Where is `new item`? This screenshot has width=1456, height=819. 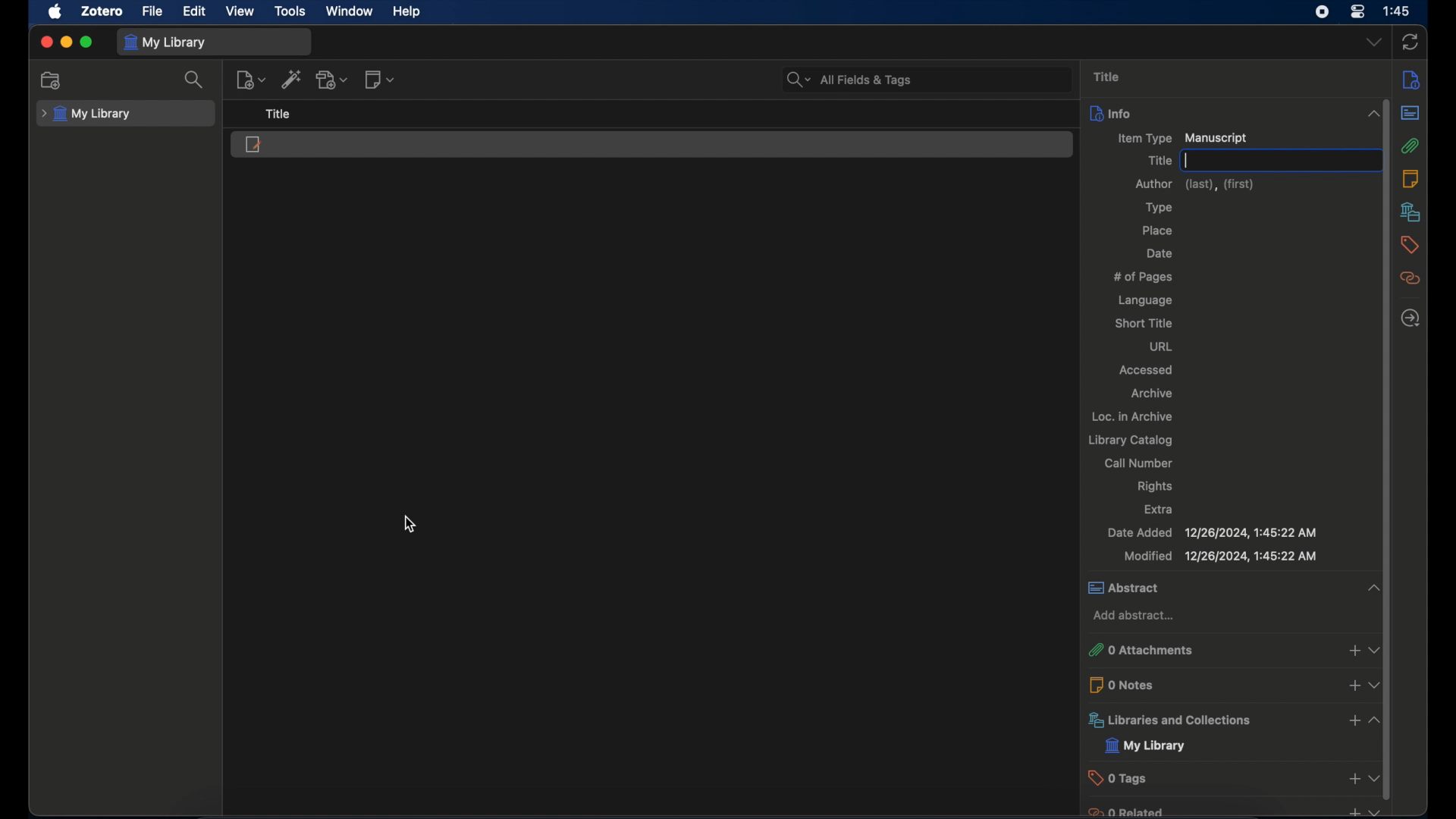
new item is located at coordinates (250, 80).